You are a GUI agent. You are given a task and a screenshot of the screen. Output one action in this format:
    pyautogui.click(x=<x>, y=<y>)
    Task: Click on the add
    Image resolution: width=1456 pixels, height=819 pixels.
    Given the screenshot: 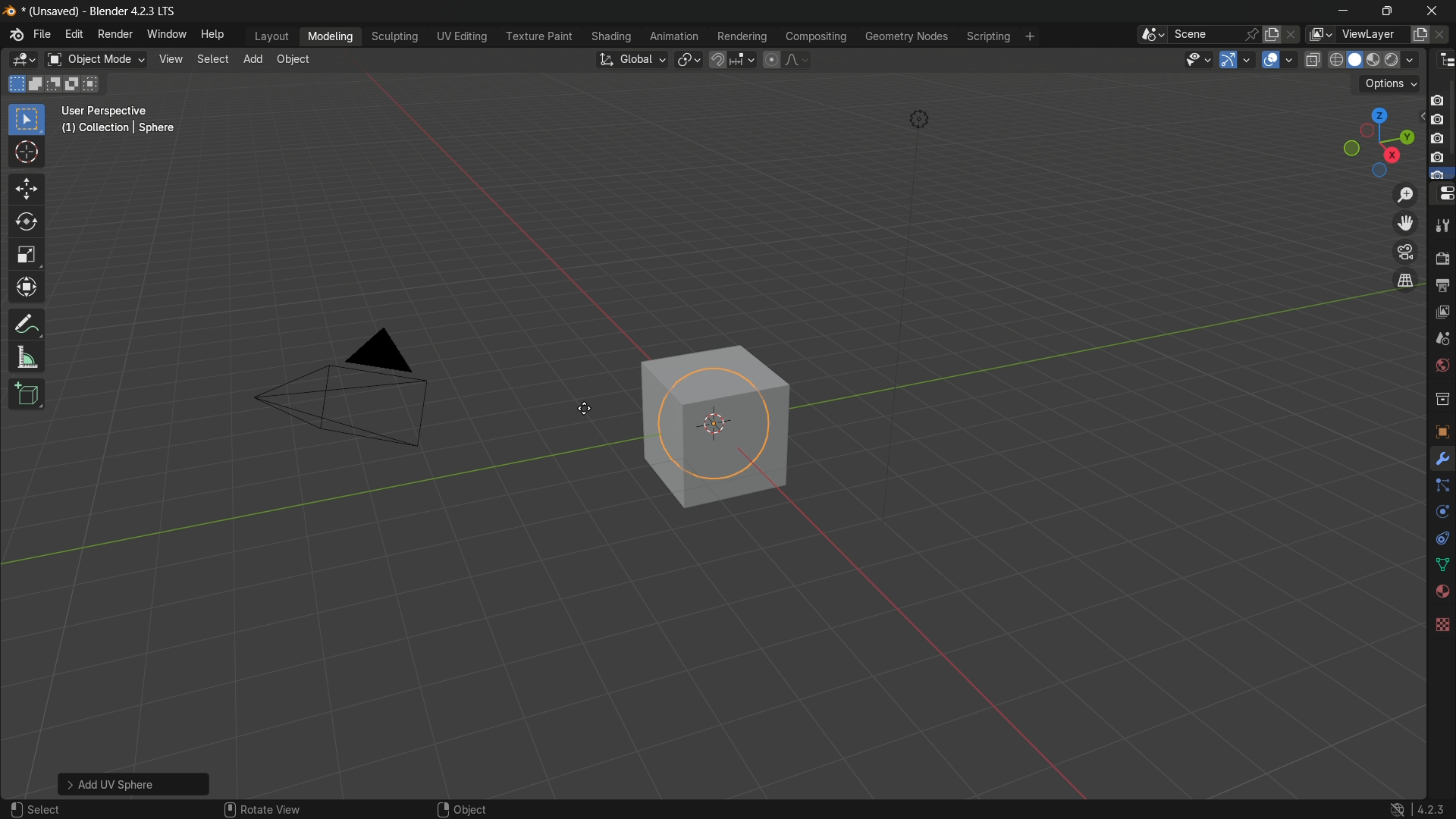 What is the action you would take?
    pyautogui.click(x=253, y=59)
    